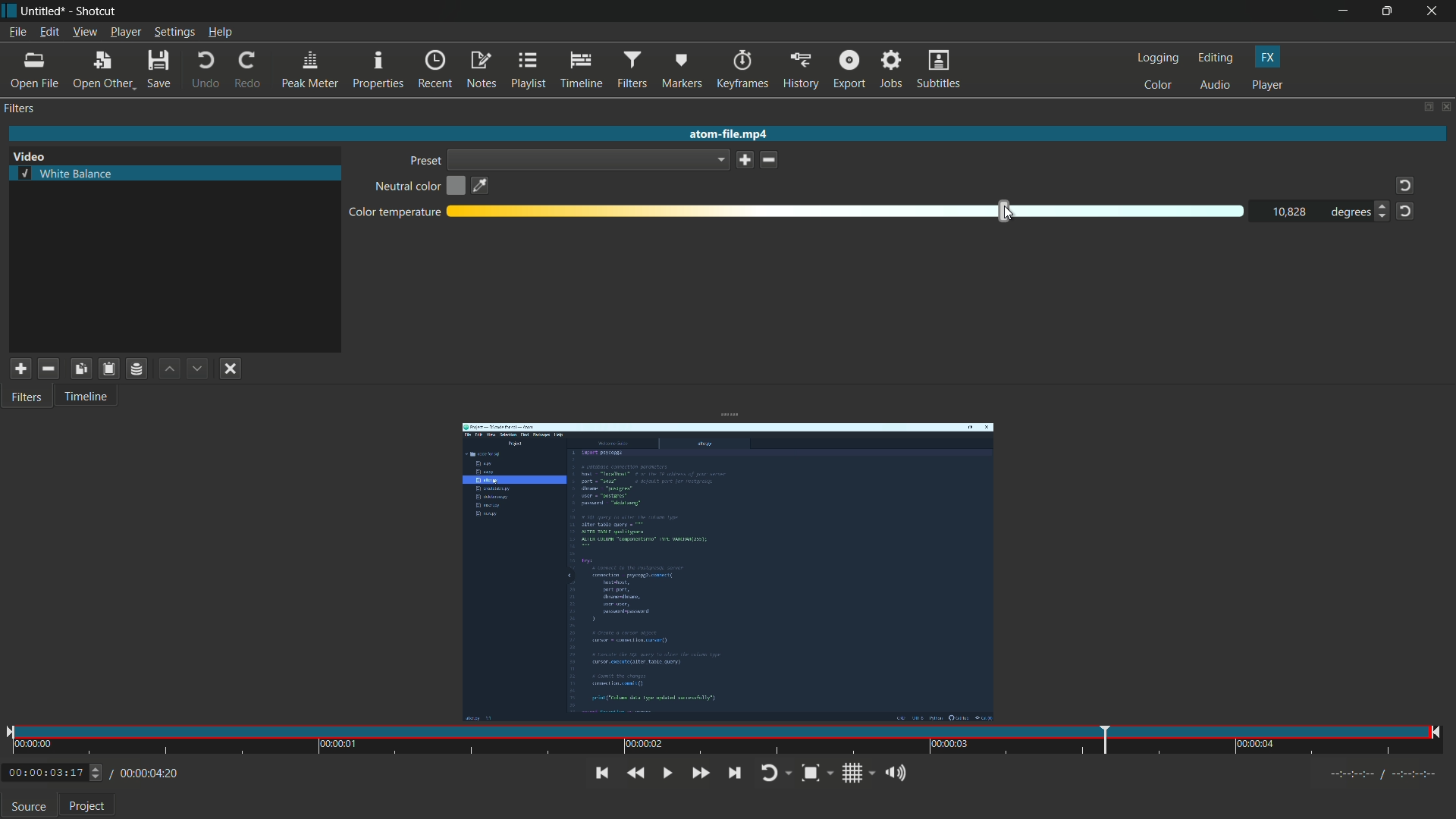 The width and height of the screenshot is (1456, 819). Describe the element at coordinates (49, 31) in the screenshot. I see `edit menu` at that location.